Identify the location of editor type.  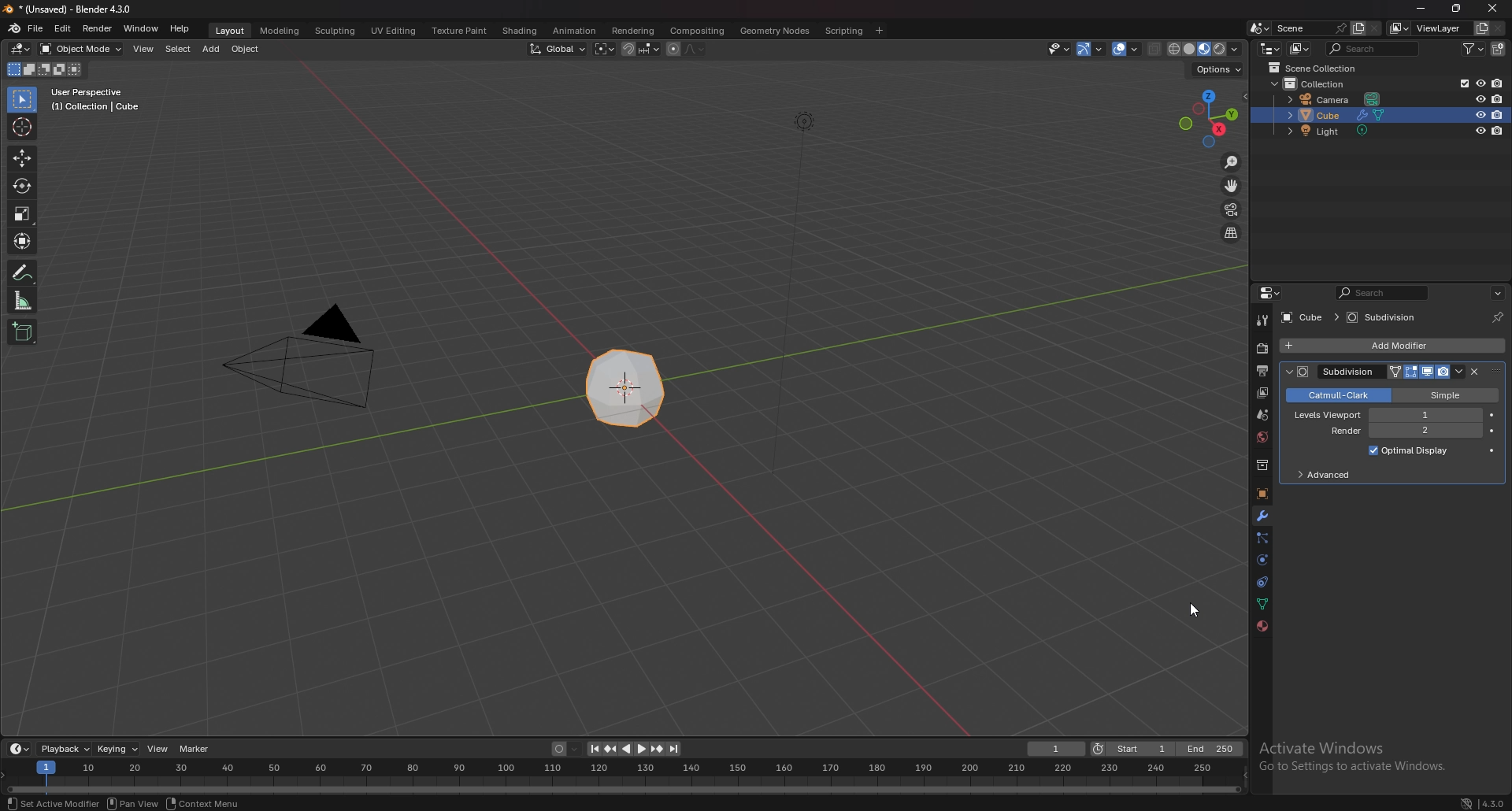
(1269, 49).